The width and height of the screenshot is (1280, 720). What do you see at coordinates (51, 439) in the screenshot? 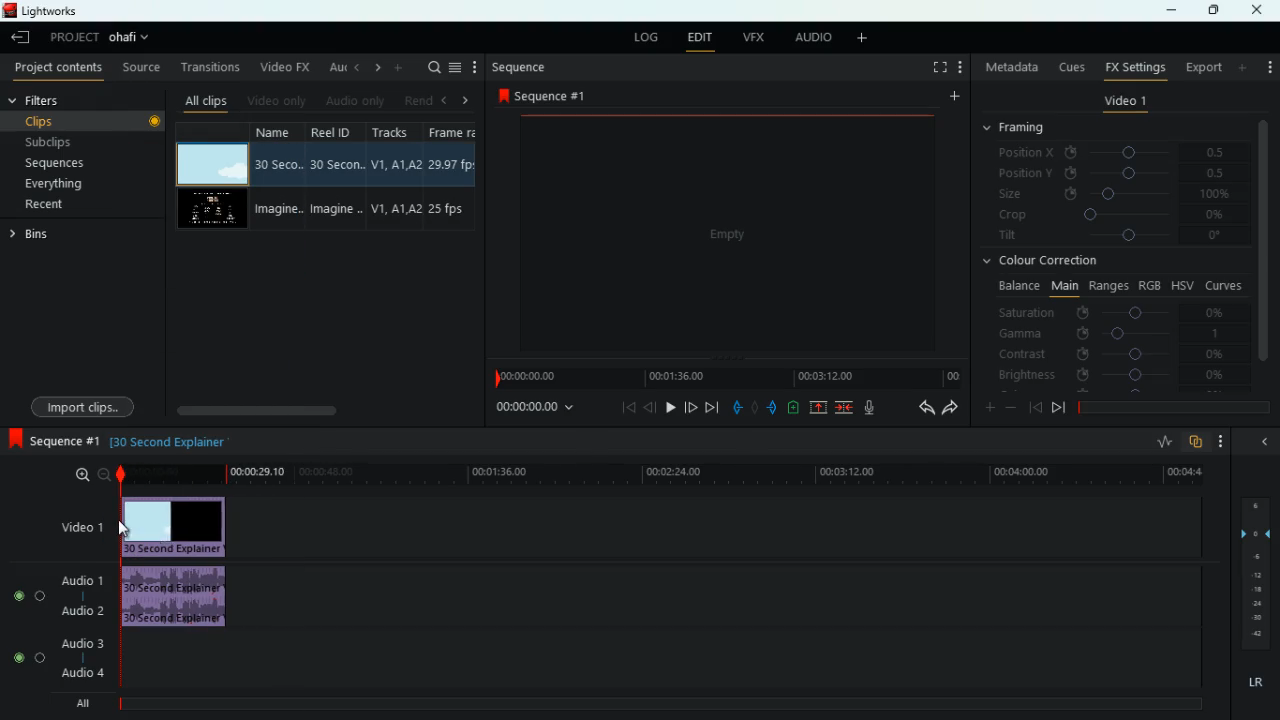
I see `sequence` at bounding box center [51, 439].